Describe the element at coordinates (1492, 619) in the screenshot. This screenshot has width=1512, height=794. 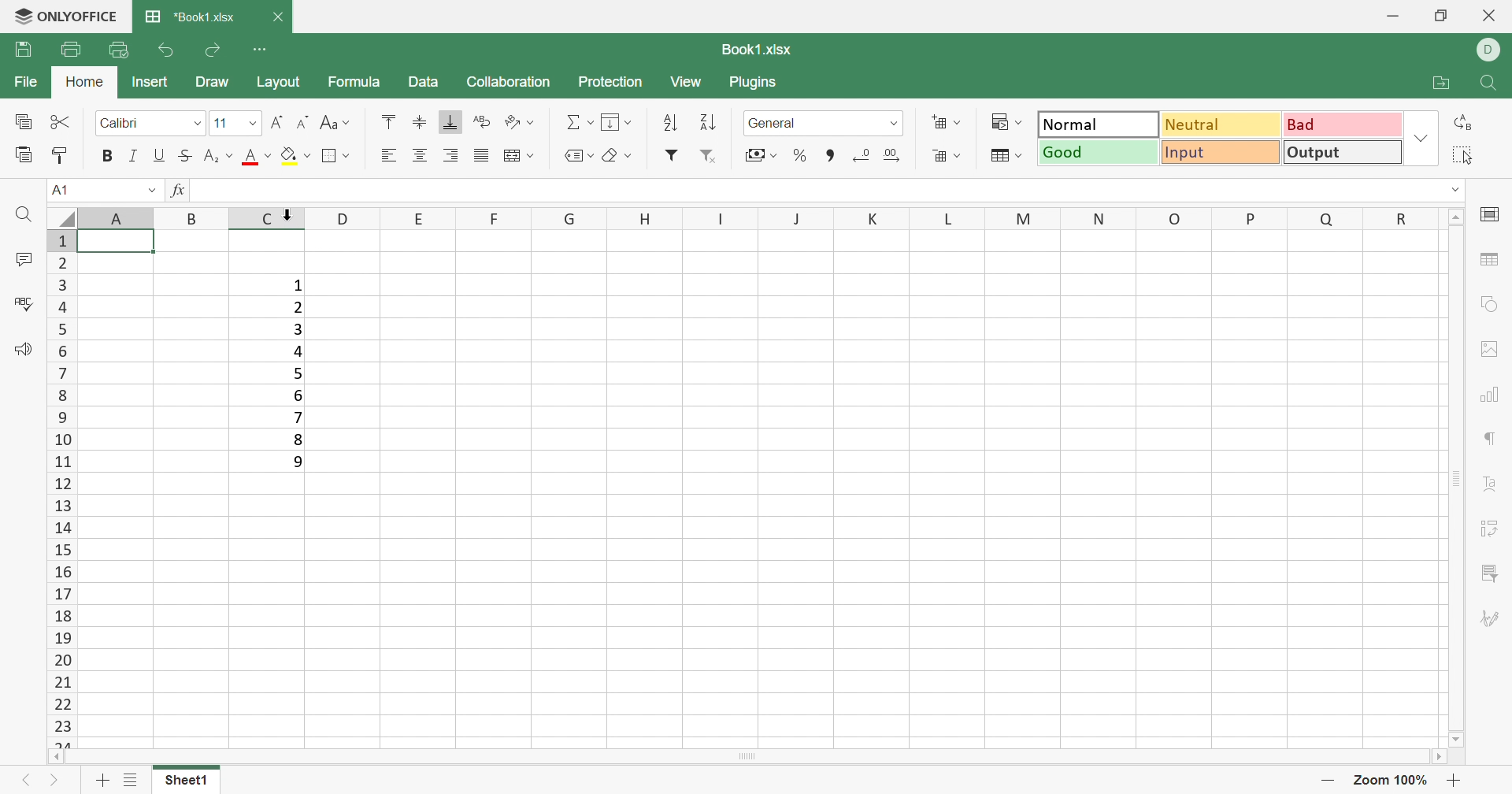
I see `Signature settings` at that location.